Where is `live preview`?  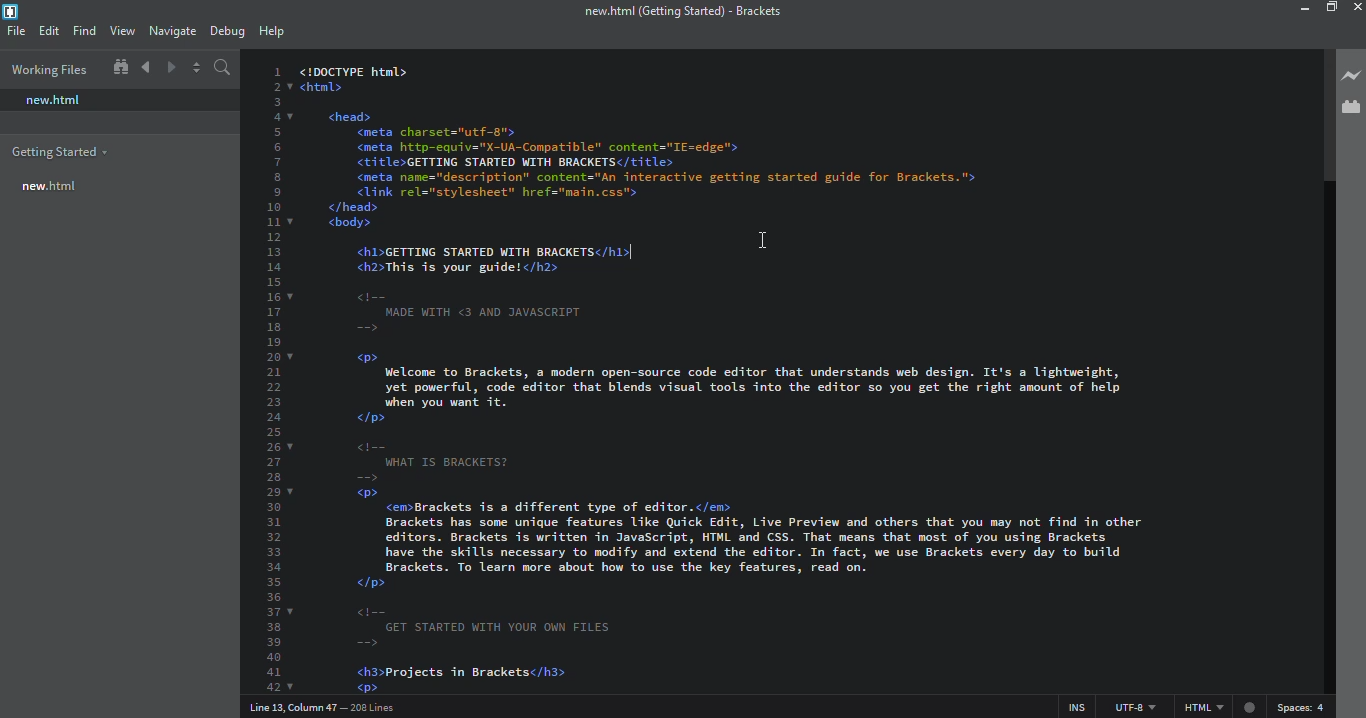
live preview is located at coordinates (1351, 75).